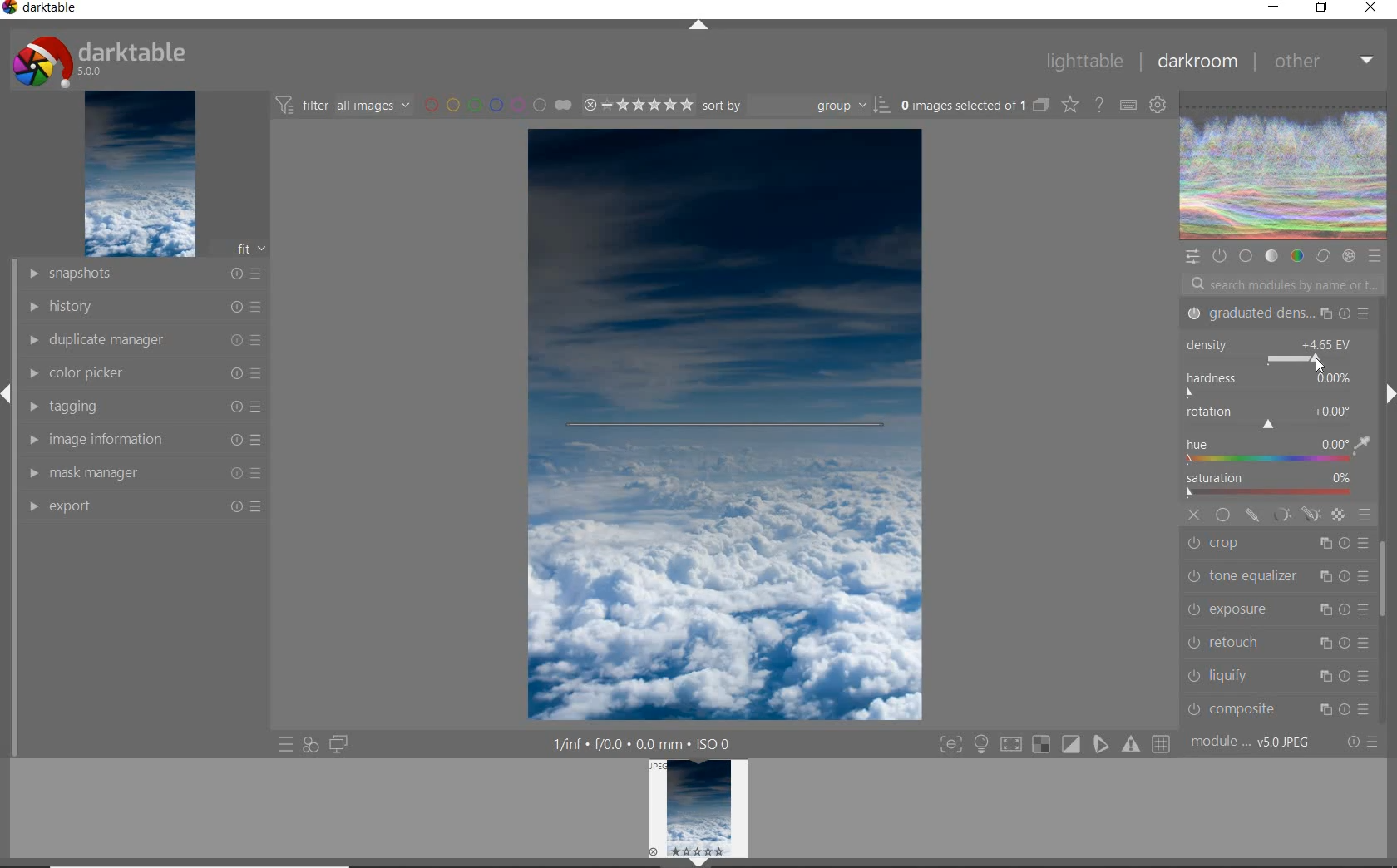  Describe the element at coordinates (1054, 747) in the screenshot. I see `TOGGLE MODES` at that location.